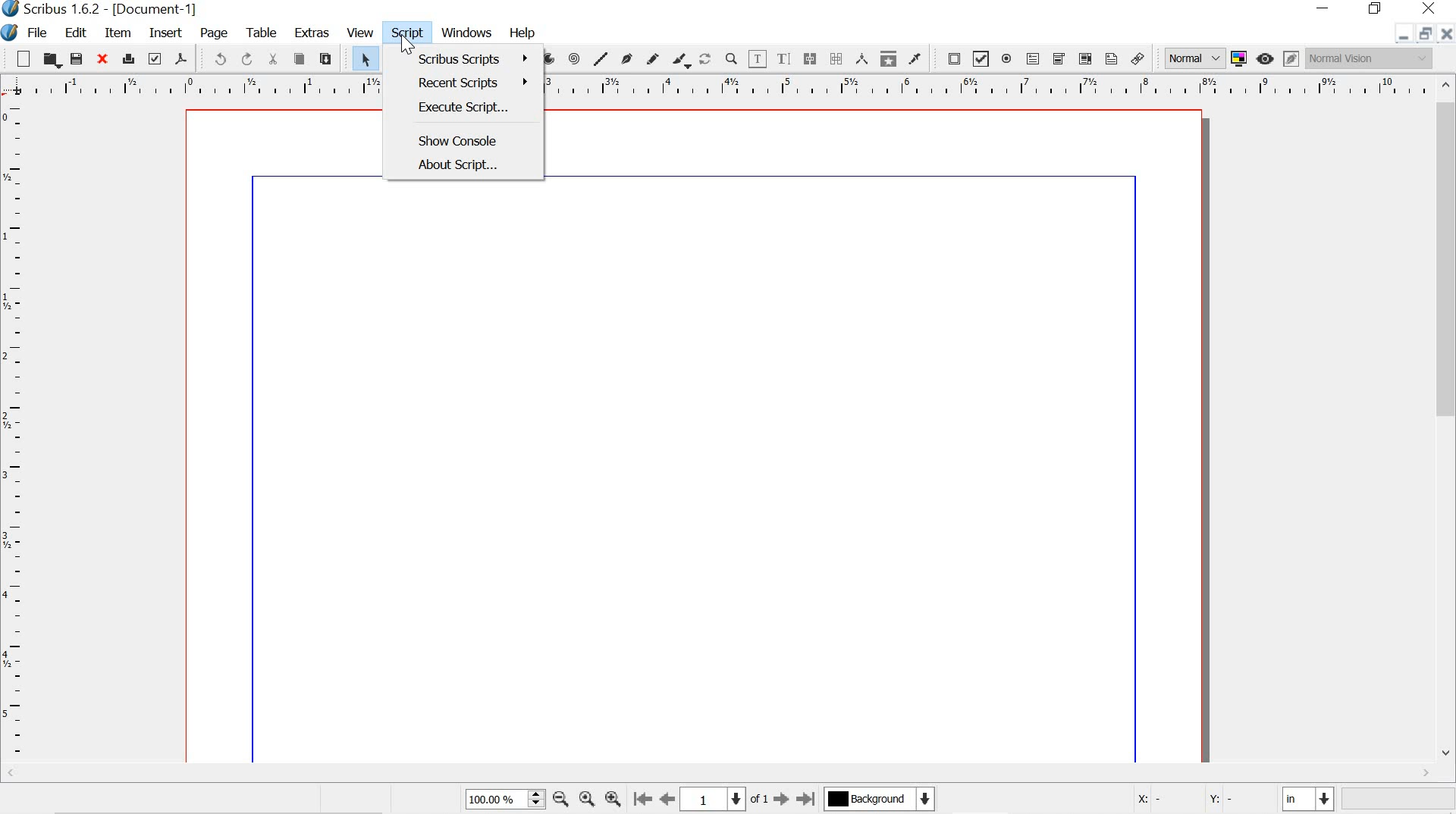 The image size is (1456, 814). What do you see at coordinates (1241, 58) in the screenshot?
I see `toggle color management system` at bounding box center [1241, 58].